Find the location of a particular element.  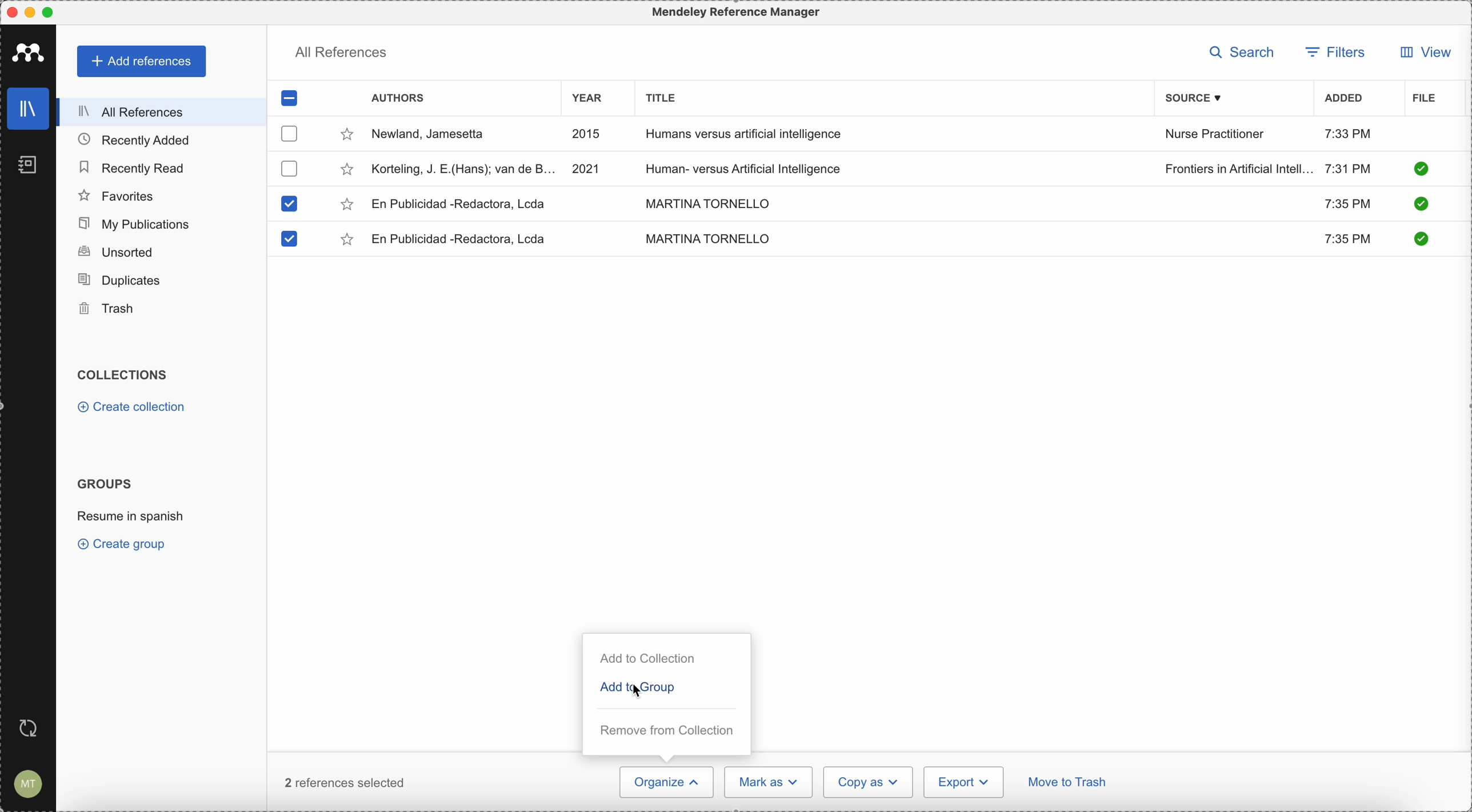

copy as is located at coordinates (869, 782).